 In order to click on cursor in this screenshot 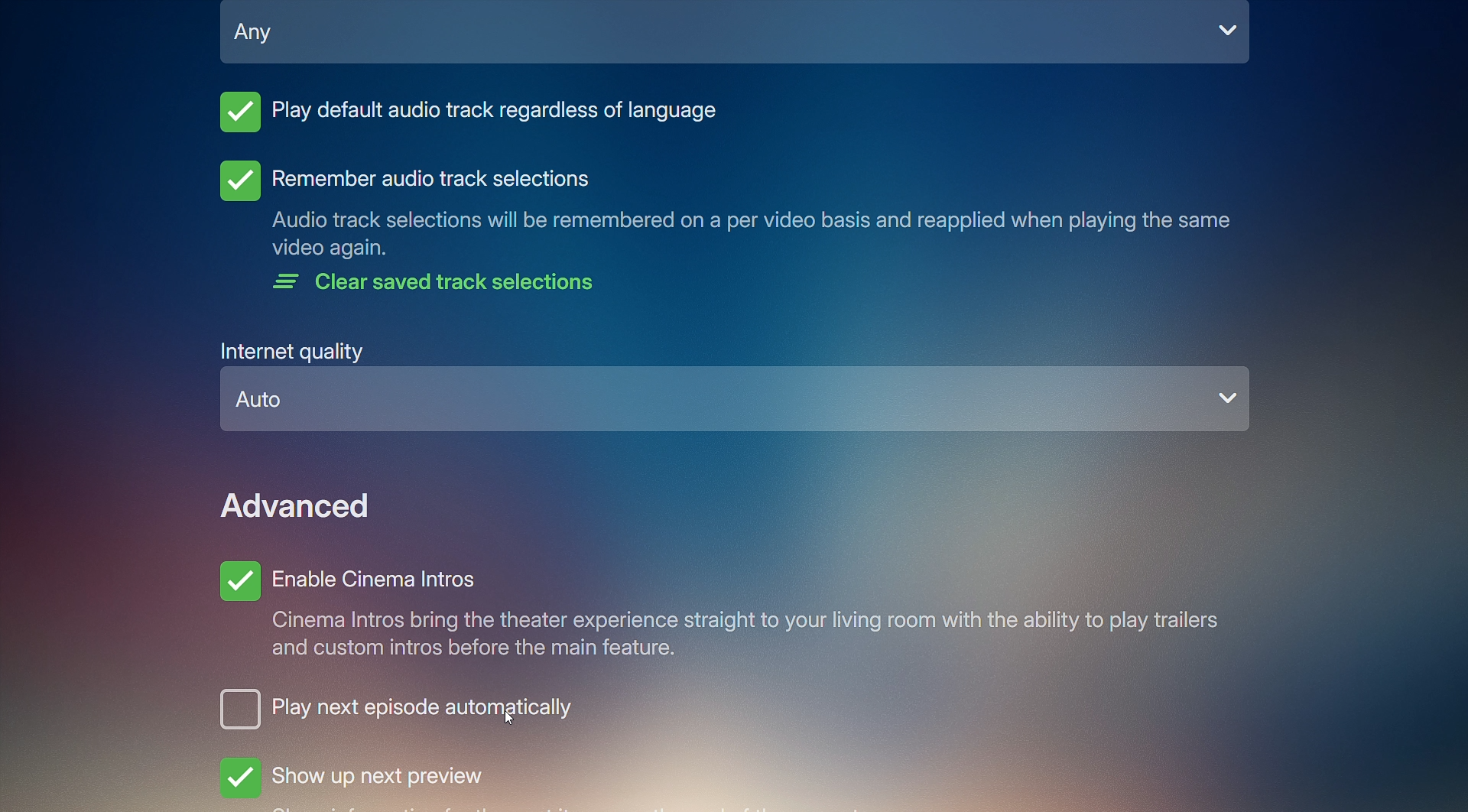, I will do `click(511, 718)`.